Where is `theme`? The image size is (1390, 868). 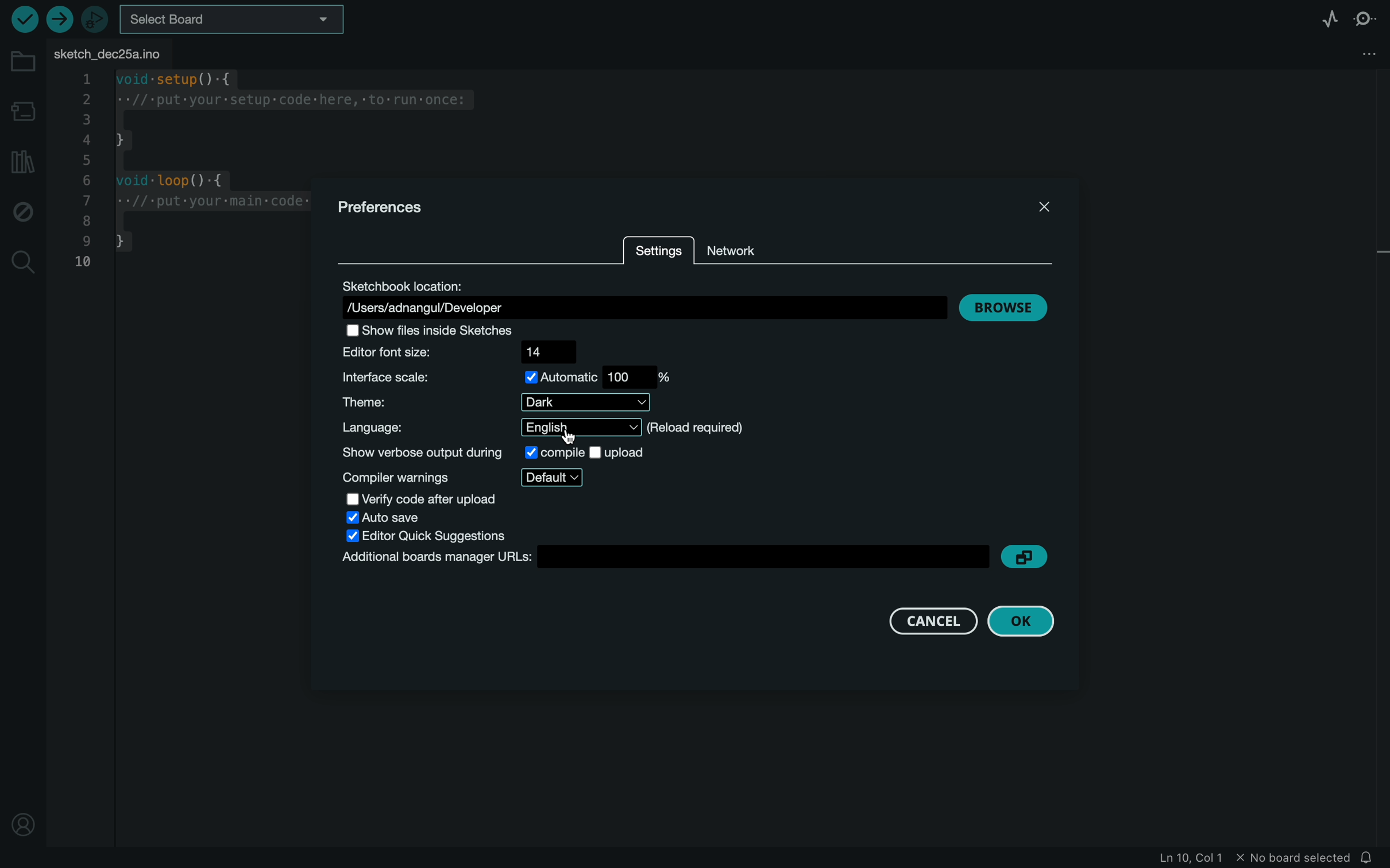
theme is located at coordinates (492, 402).